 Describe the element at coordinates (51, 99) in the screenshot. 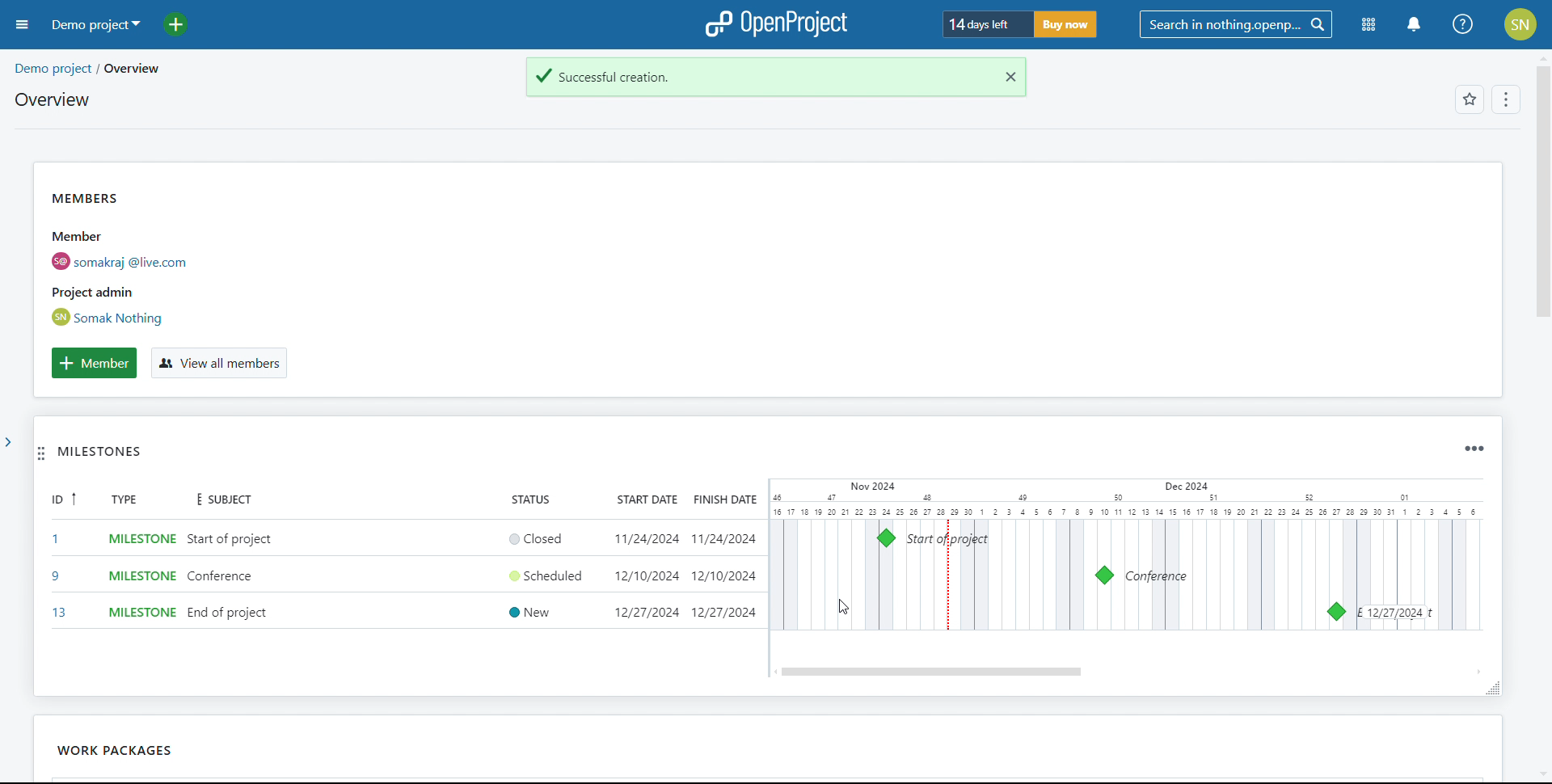

I see `overview` at that location.